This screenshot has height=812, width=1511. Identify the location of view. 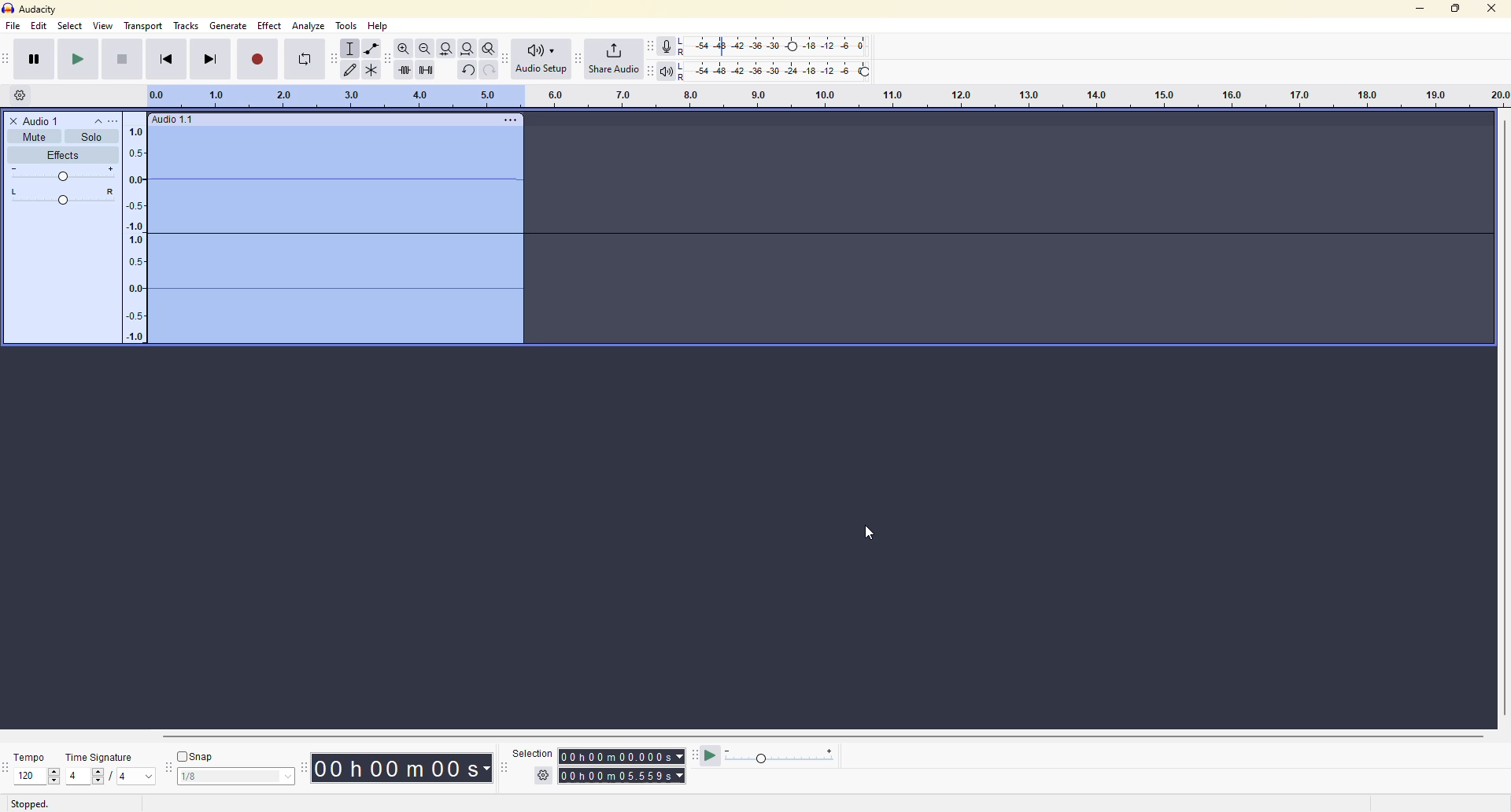
(104, 25).